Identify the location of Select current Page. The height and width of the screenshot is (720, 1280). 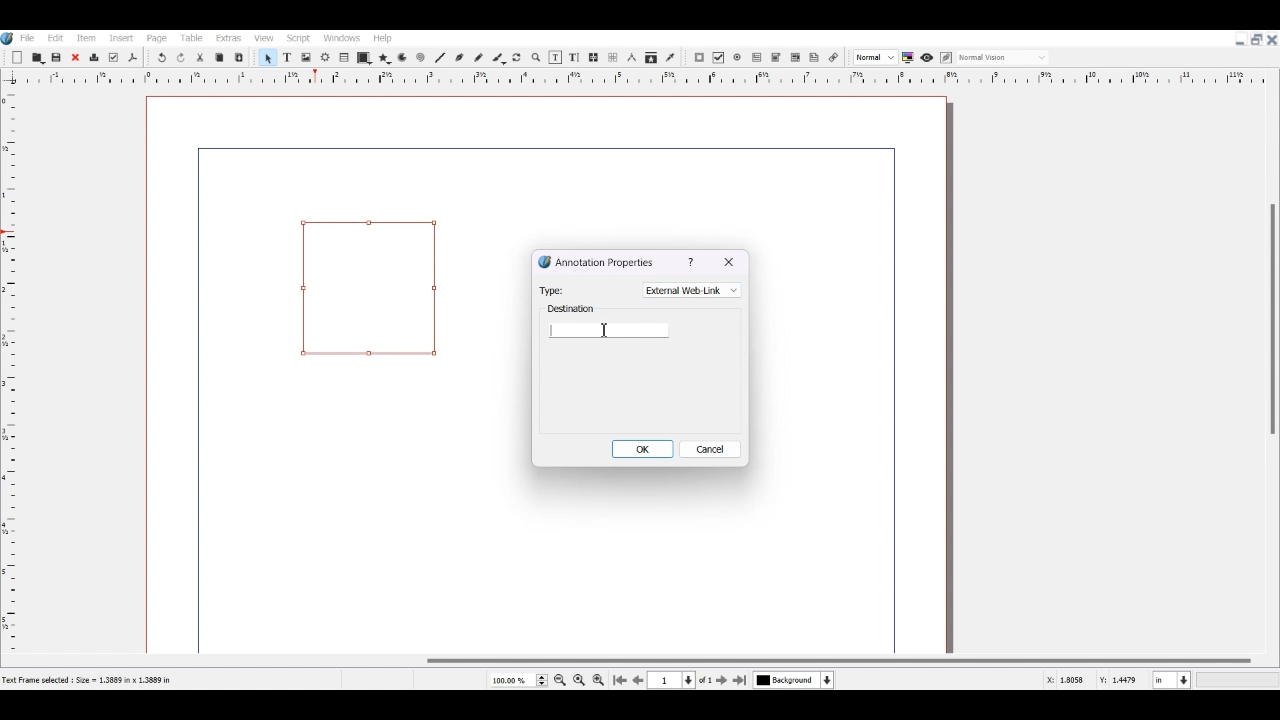
(684, 680).